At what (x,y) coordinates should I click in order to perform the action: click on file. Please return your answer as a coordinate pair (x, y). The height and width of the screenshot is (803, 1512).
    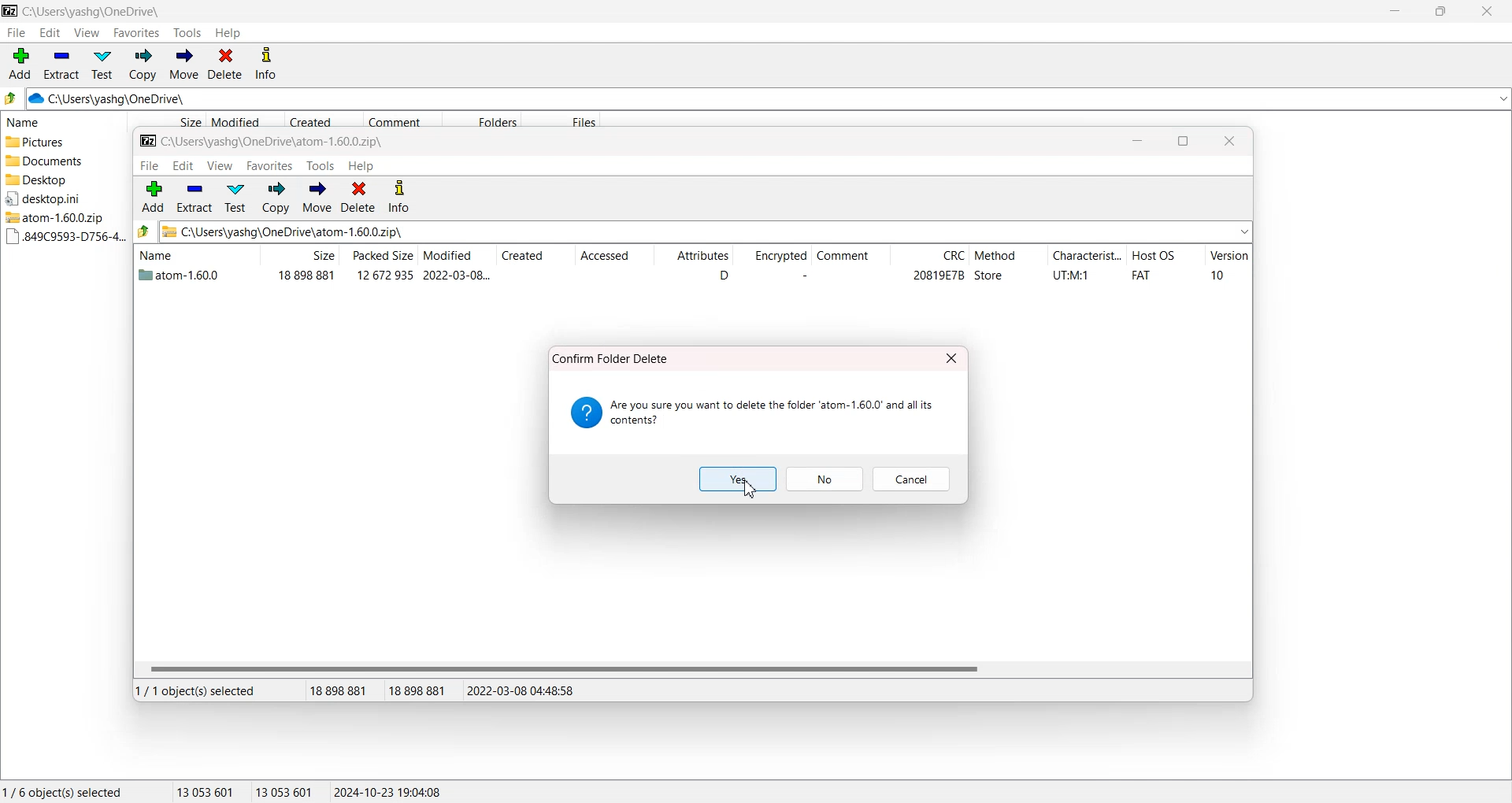
    Looking at the image, I should click on (149, 166).